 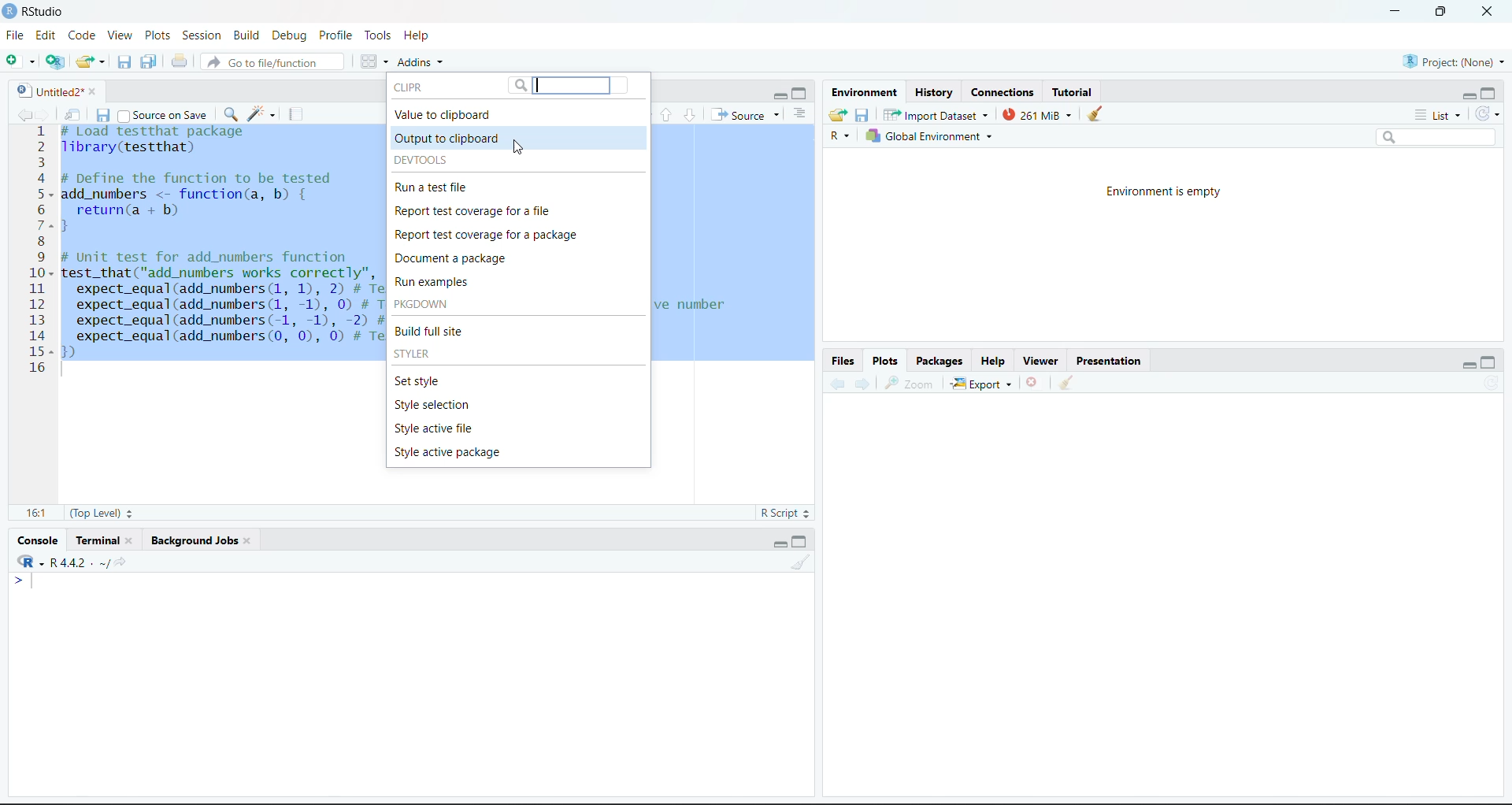 I want to click on Session, so click(x=202, y=35).